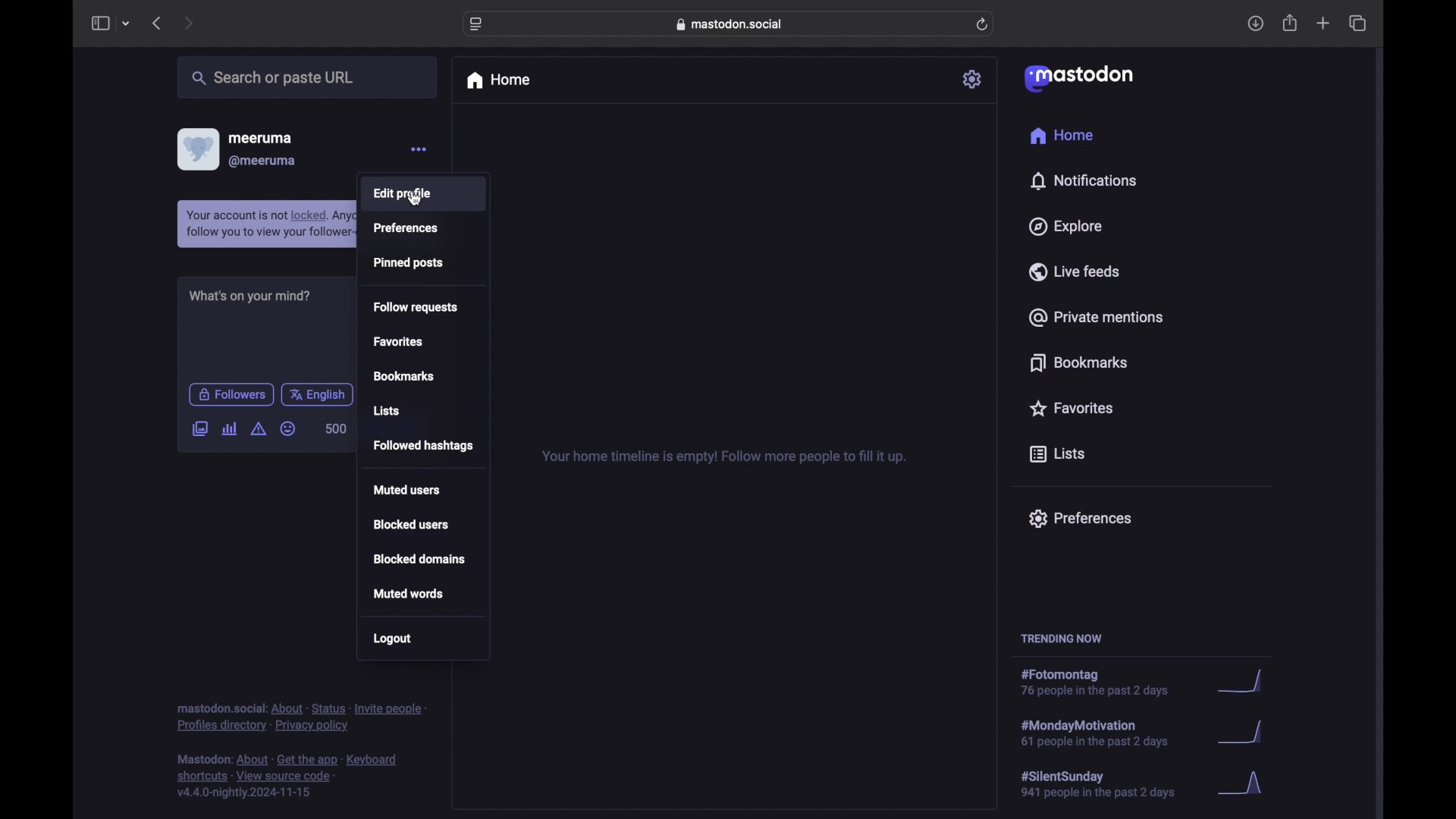 This screenshot has height=819, width=1456. What do you see at coordinates (408, 593) in the screenshot?
I see `muted words` at bounding box center [408, 593].